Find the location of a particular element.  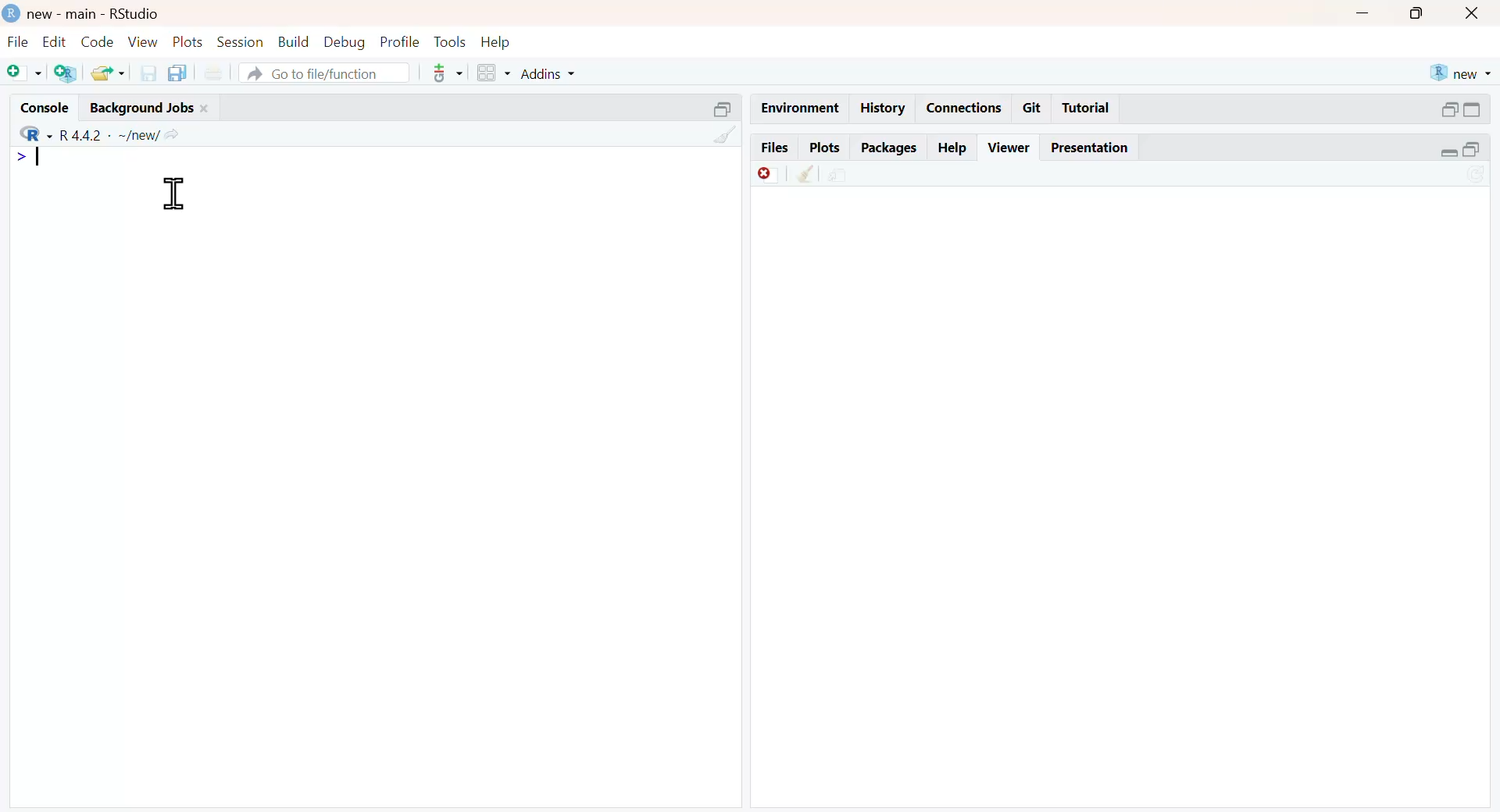

profile is located at coordinates (402, 42).